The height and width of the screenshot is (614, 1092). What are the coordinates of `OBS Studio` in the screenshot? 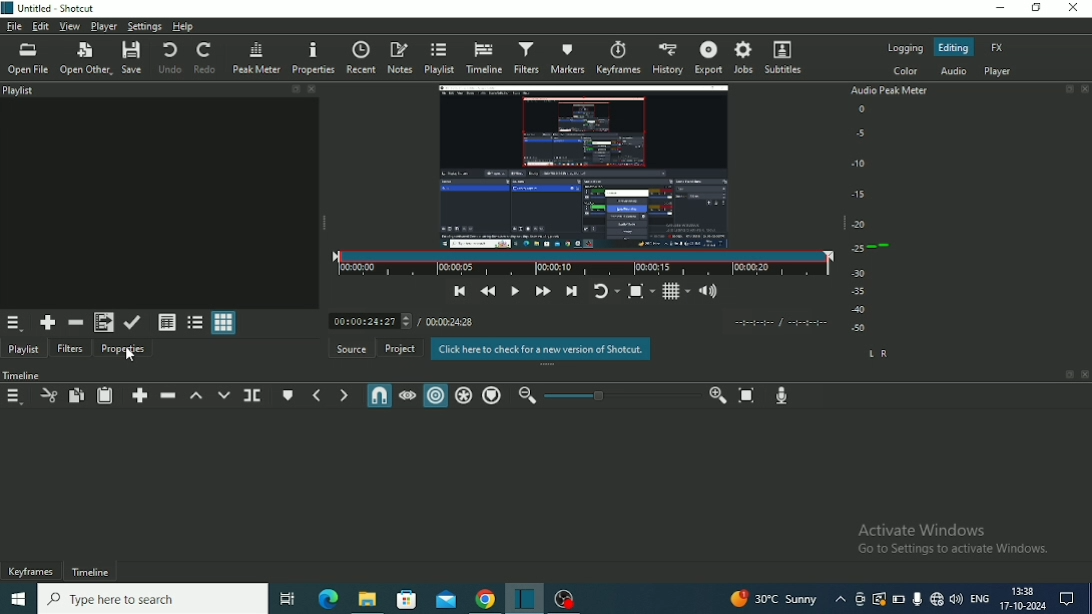 It's located at (563, 599).